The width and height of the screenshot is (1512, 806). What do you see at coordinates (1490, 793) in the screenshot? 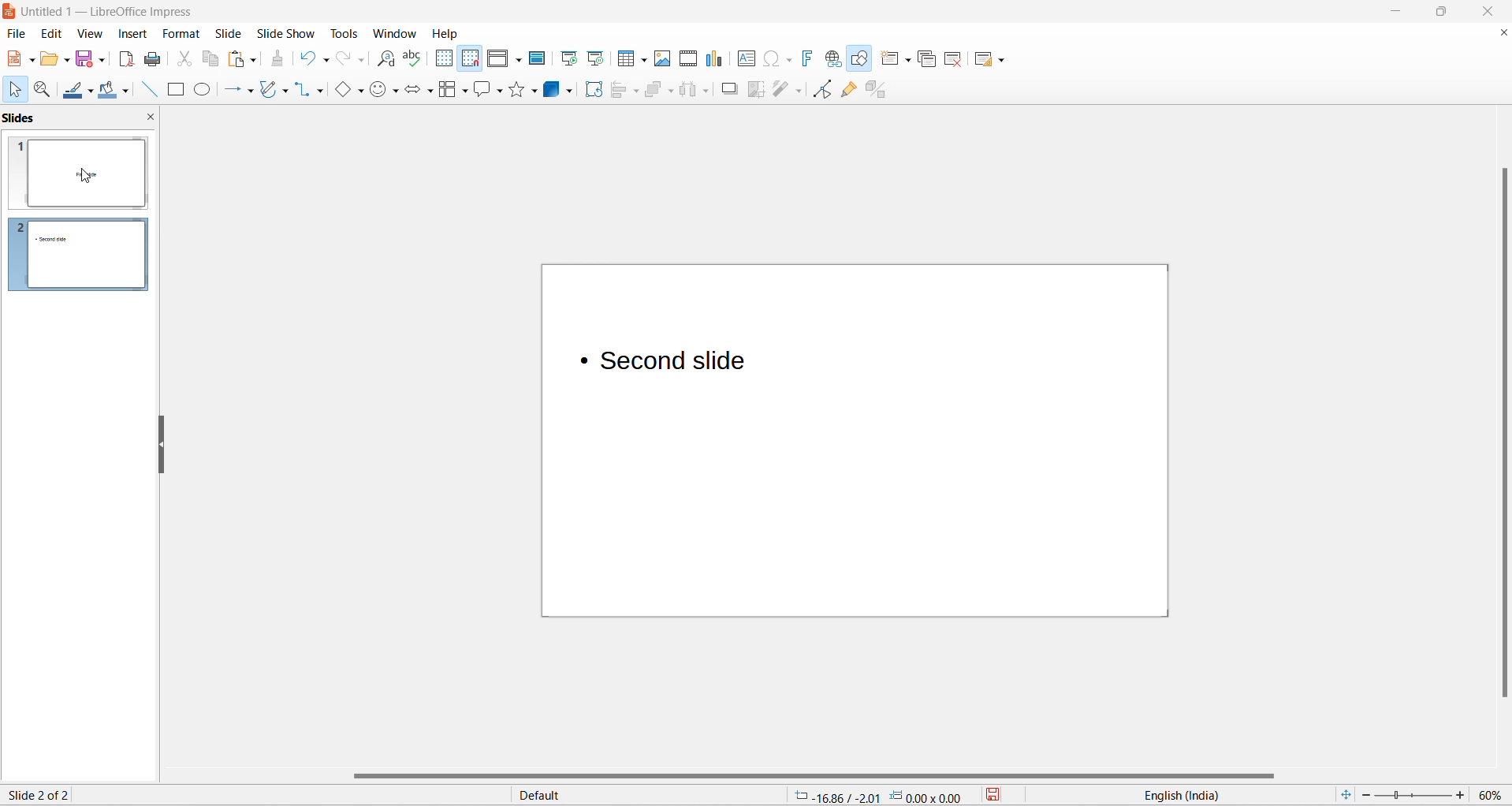
I see `zoom percentage` at bounding box center [1490, 793].